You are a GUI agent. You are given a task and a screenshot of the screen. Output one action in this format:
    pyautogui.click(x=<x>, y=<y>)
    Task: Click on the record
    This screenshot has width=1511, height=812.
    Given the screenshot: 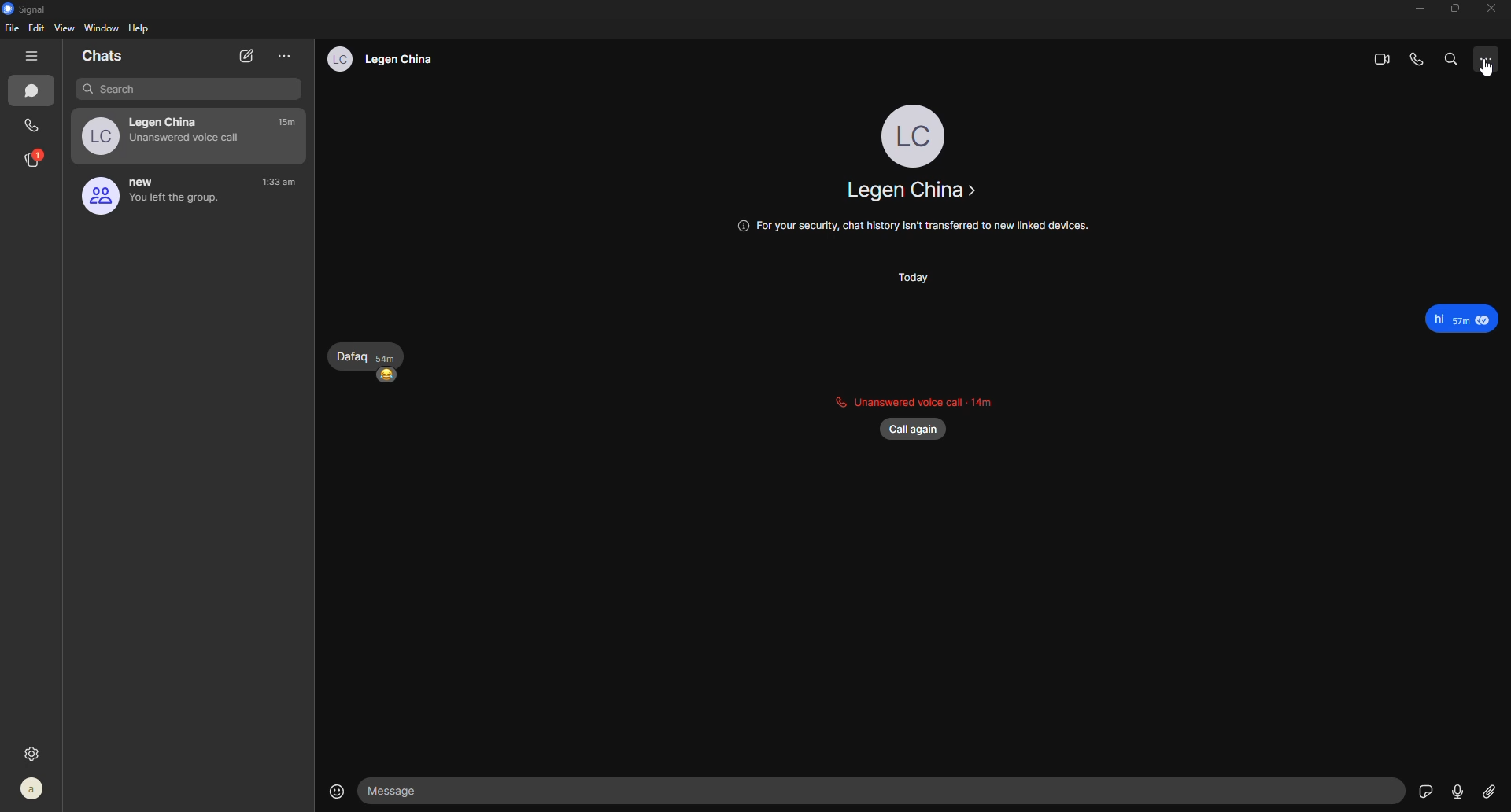 What is the action you would take?
    pyautogui.click(x=1457, y=791)
    